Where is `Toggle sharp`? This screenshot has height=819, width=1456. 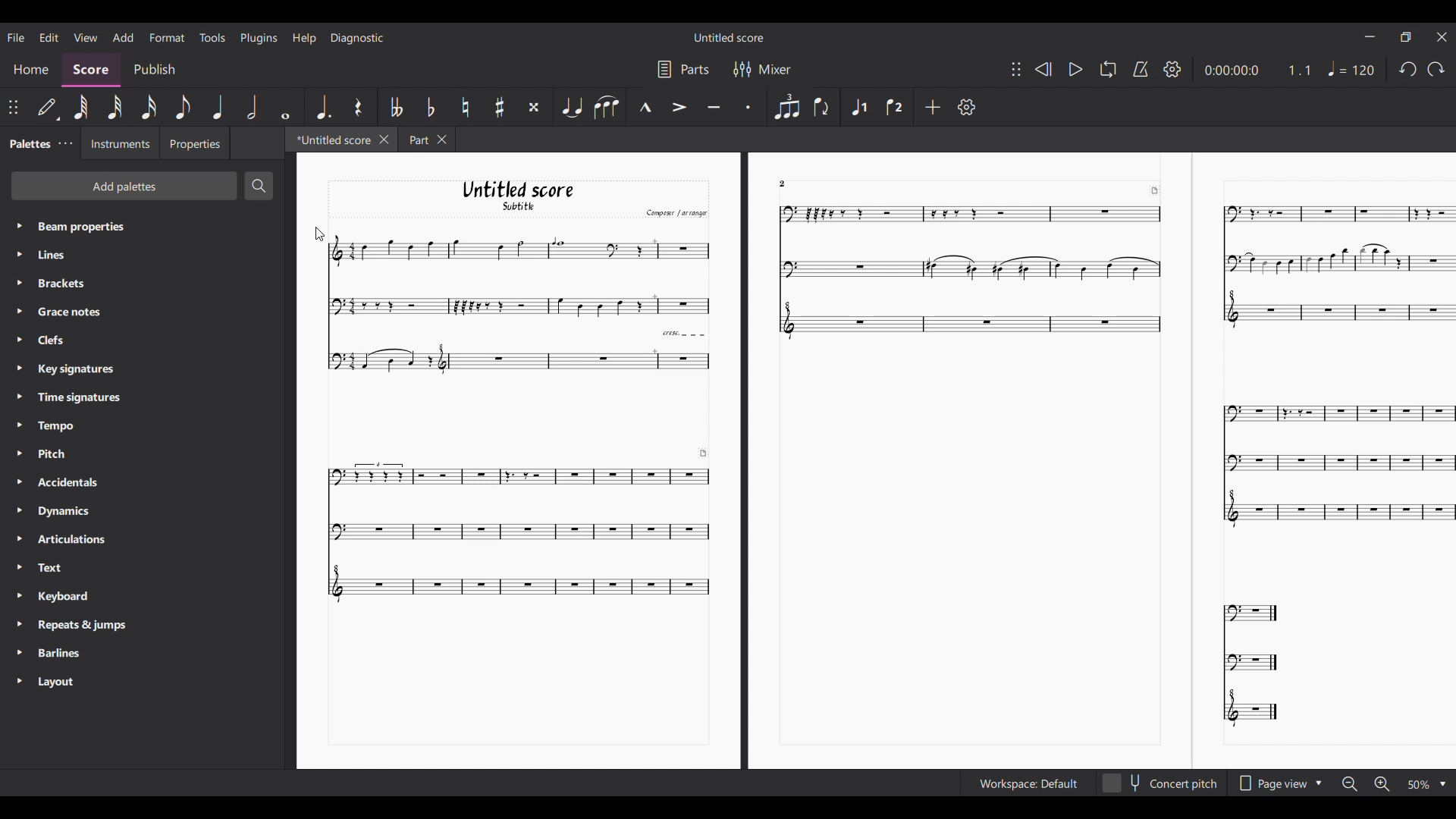
Toggle sharp is located at coordinates (500, 107).